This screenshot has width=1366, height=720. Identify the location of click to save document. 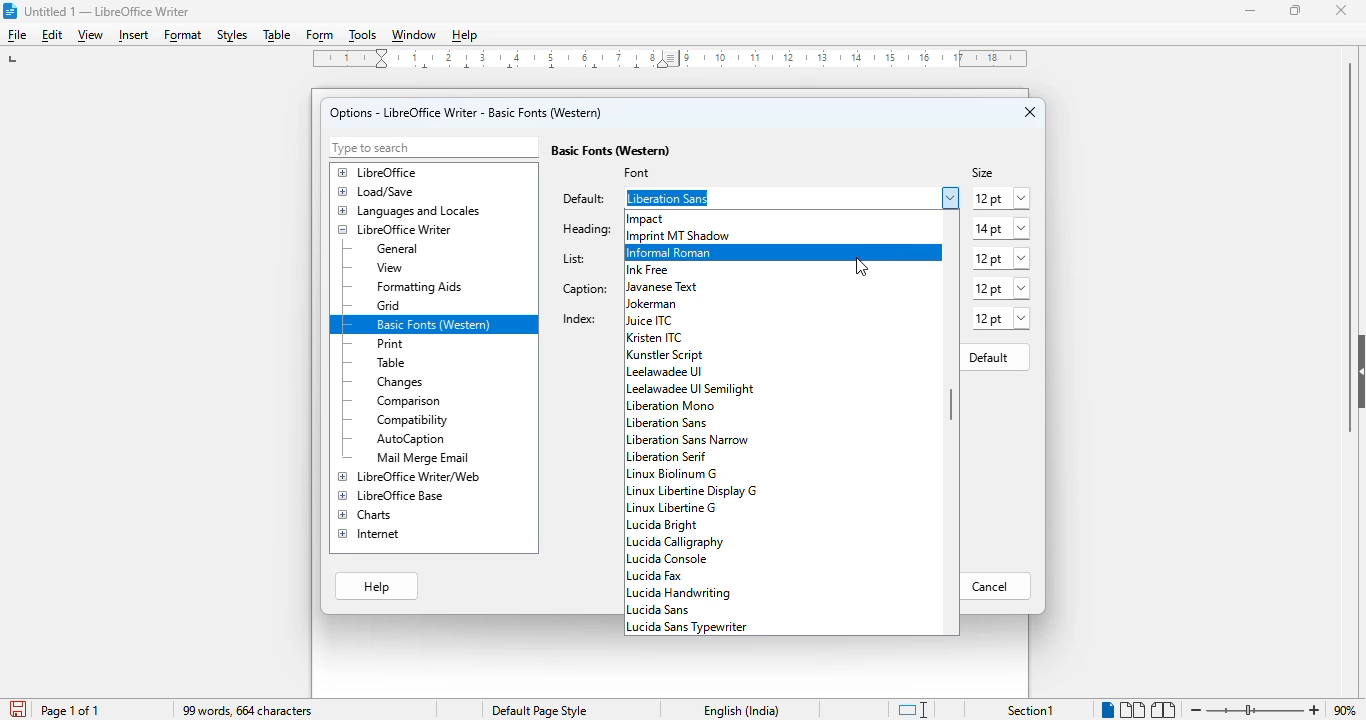
(19, 708).